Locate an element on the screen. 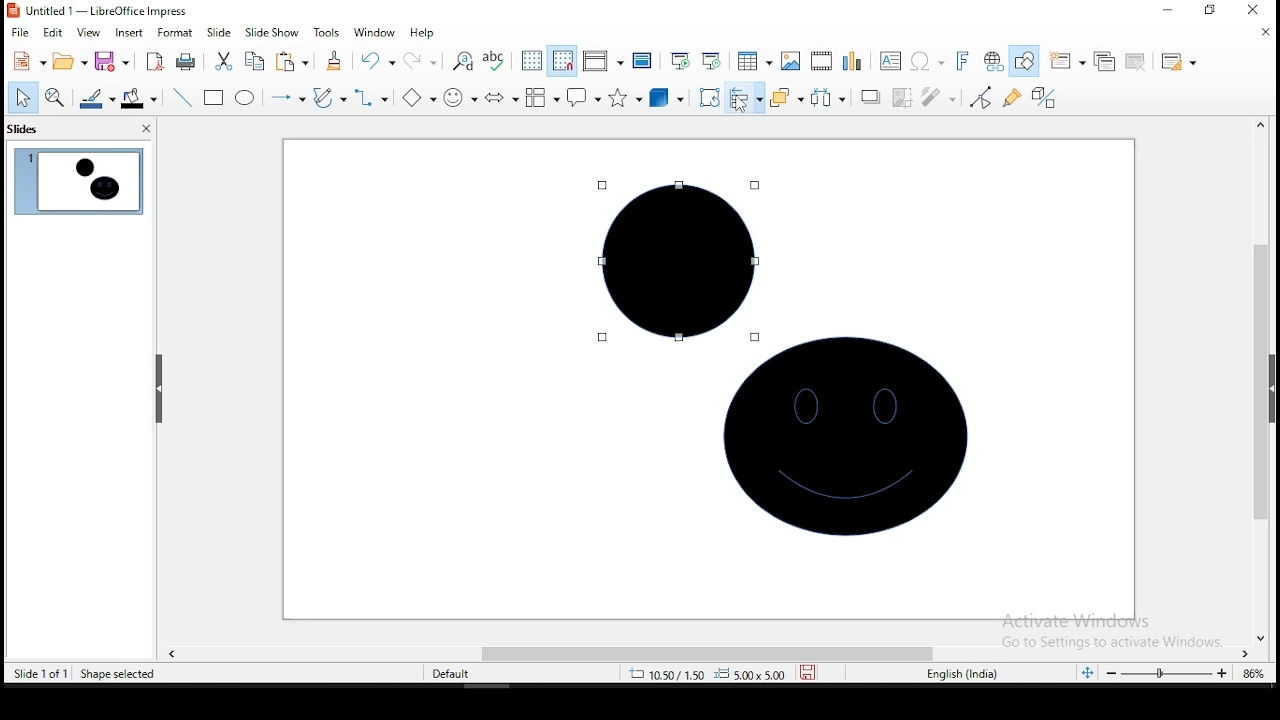 Image resolution: width=1280 pixels, height=720 pixels. restore is located at coordinates (1209, 12).